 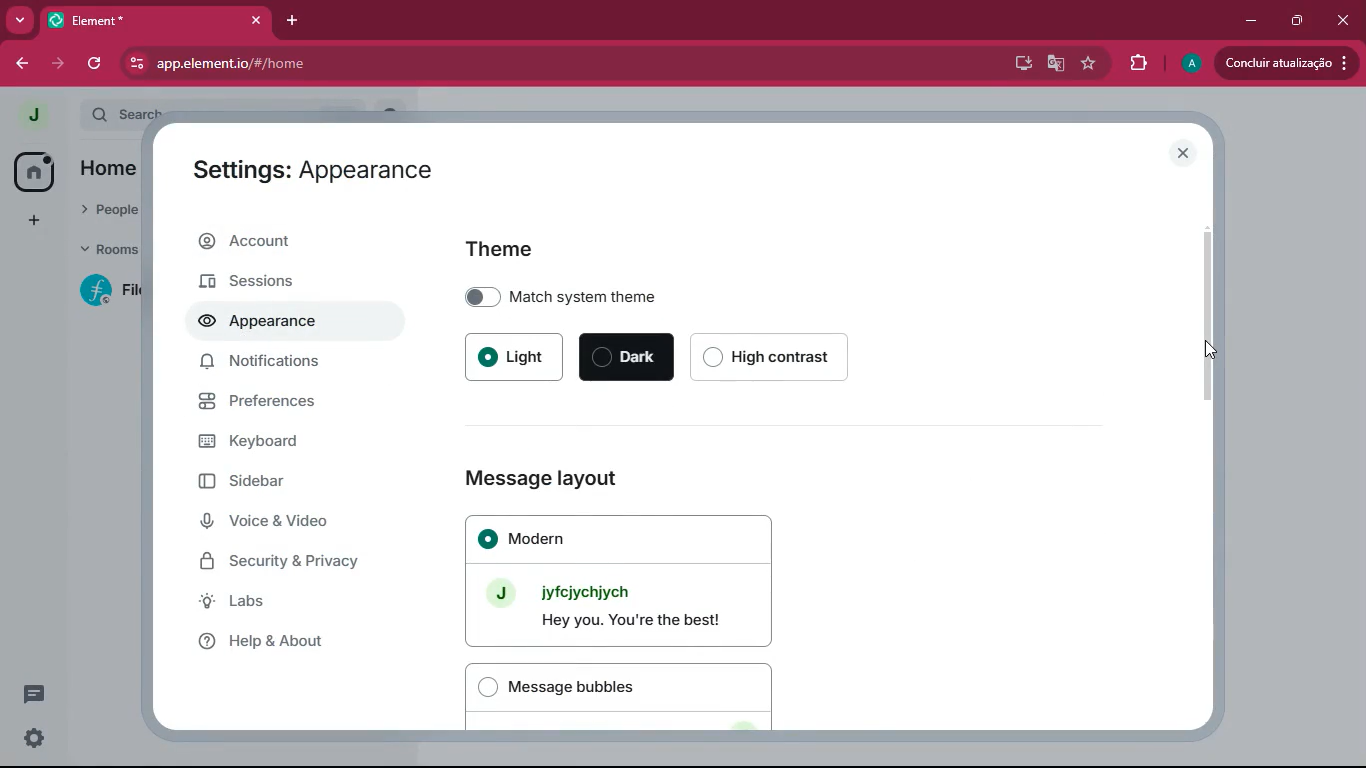 I want to click on maximize, so click(x=1301, y=19).